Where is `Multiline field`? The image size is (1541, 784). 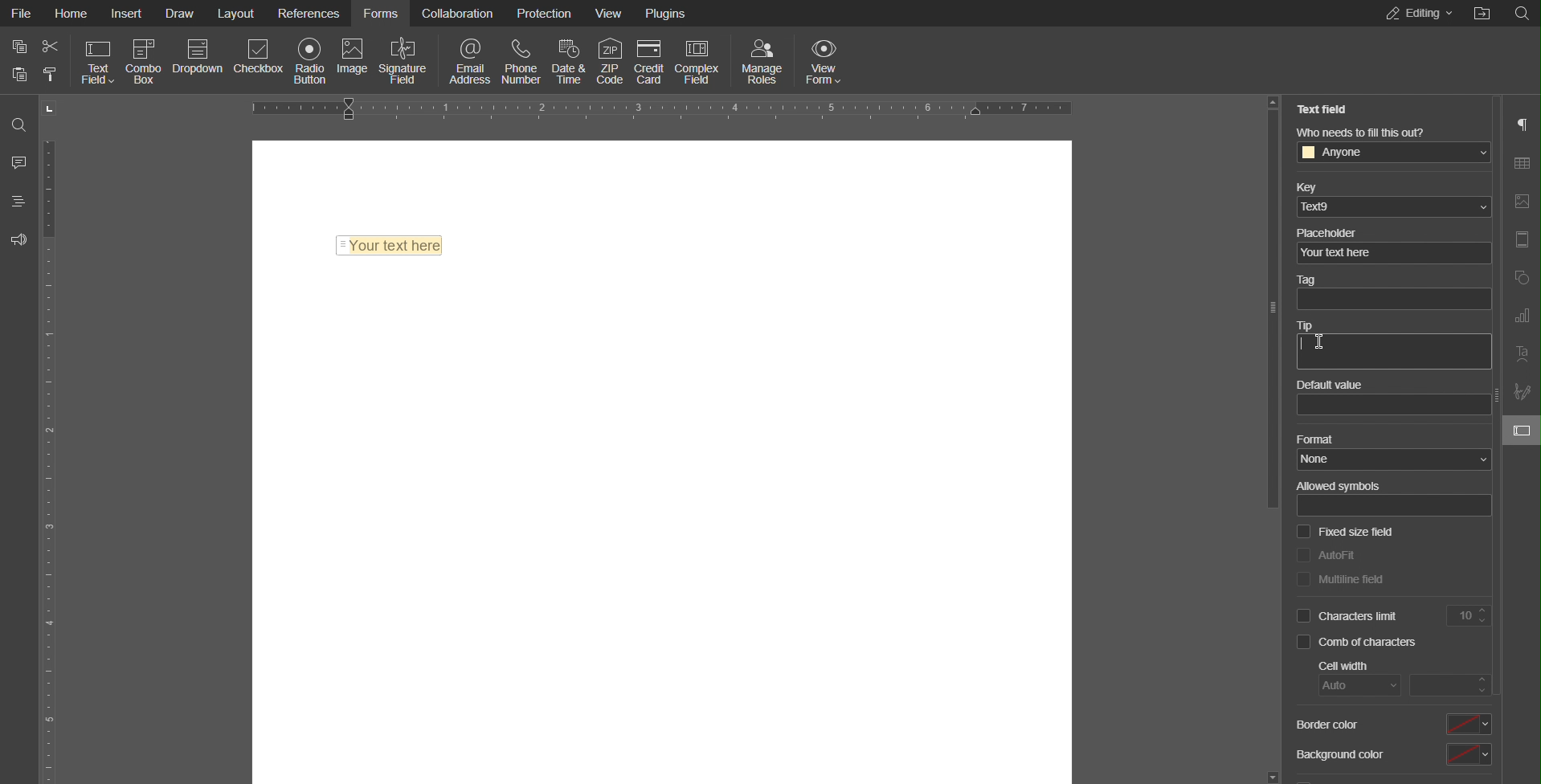 Multiline field is located at coordinates (1352, 578).